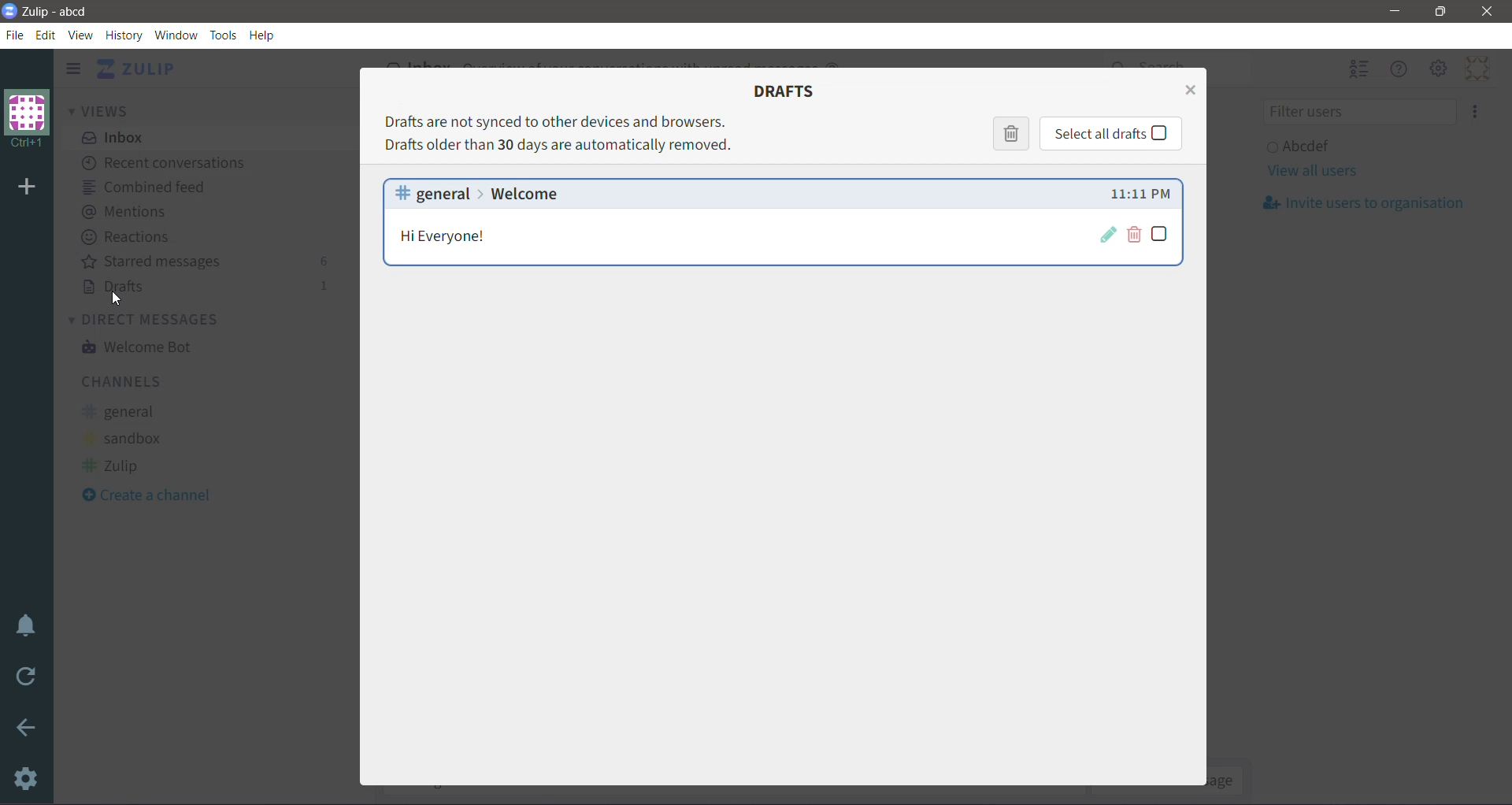 This screenshot has width=1512, height=805. I want to click on Inbox, so click(204, 137).